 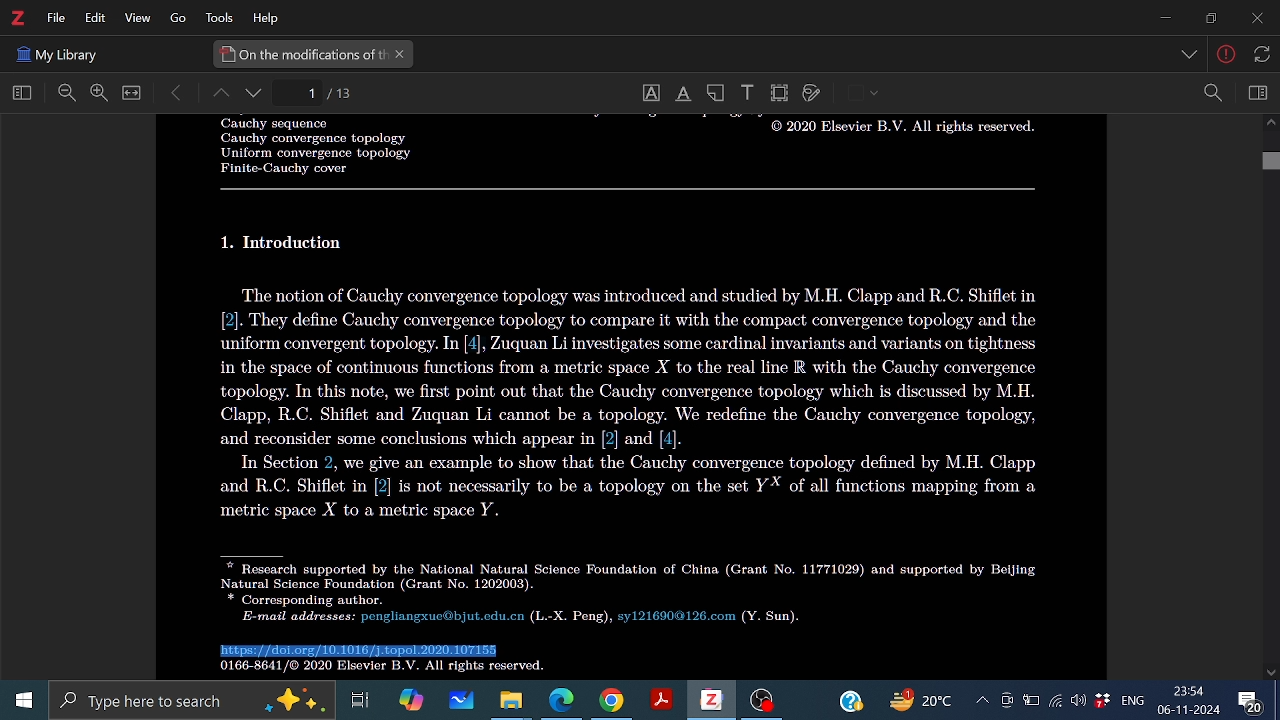 I want to click on , so click(x=305, y=146).